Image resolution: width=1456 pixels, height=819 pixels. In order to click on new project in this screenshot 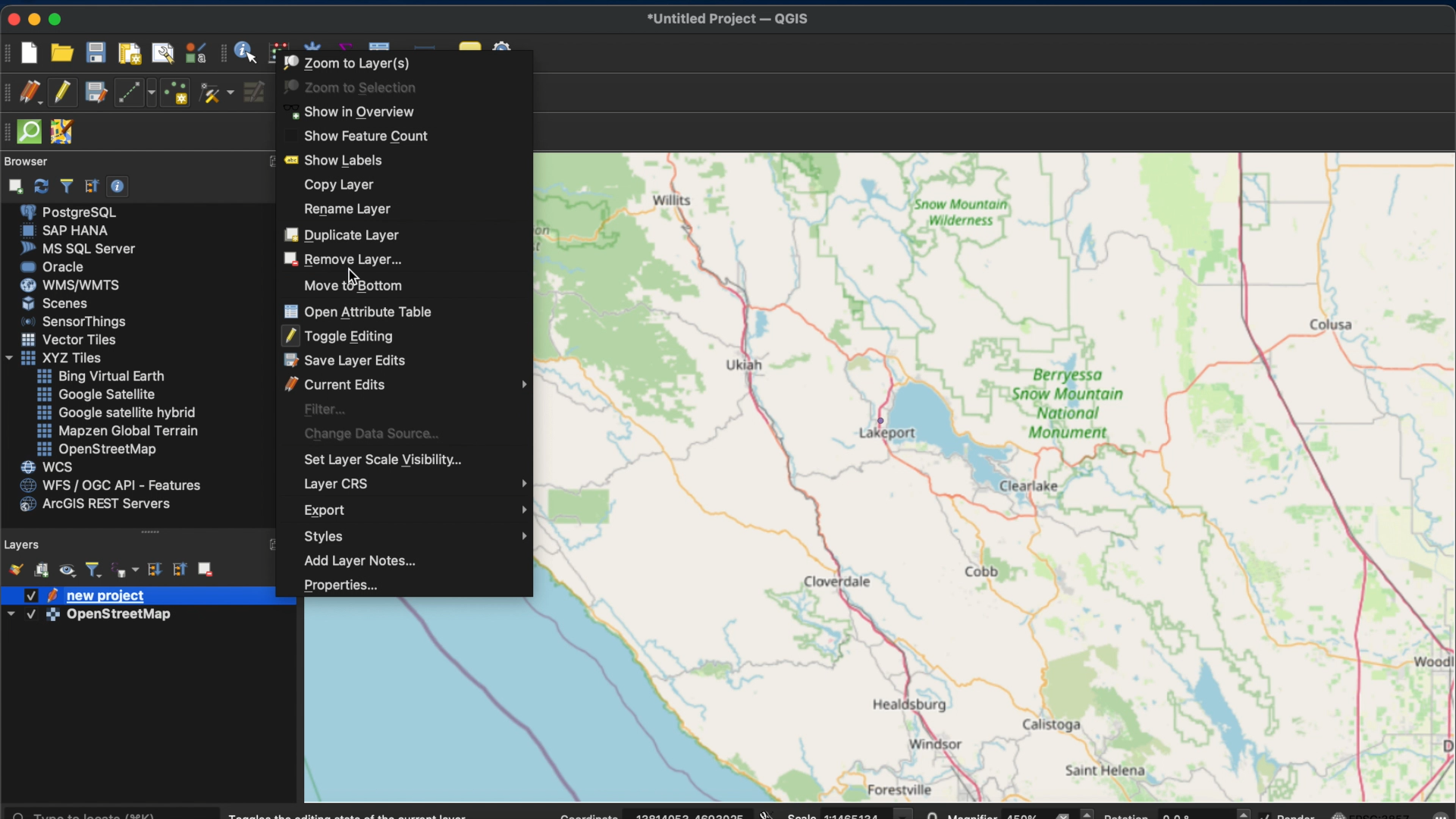, I will do `click(33, 54)`.